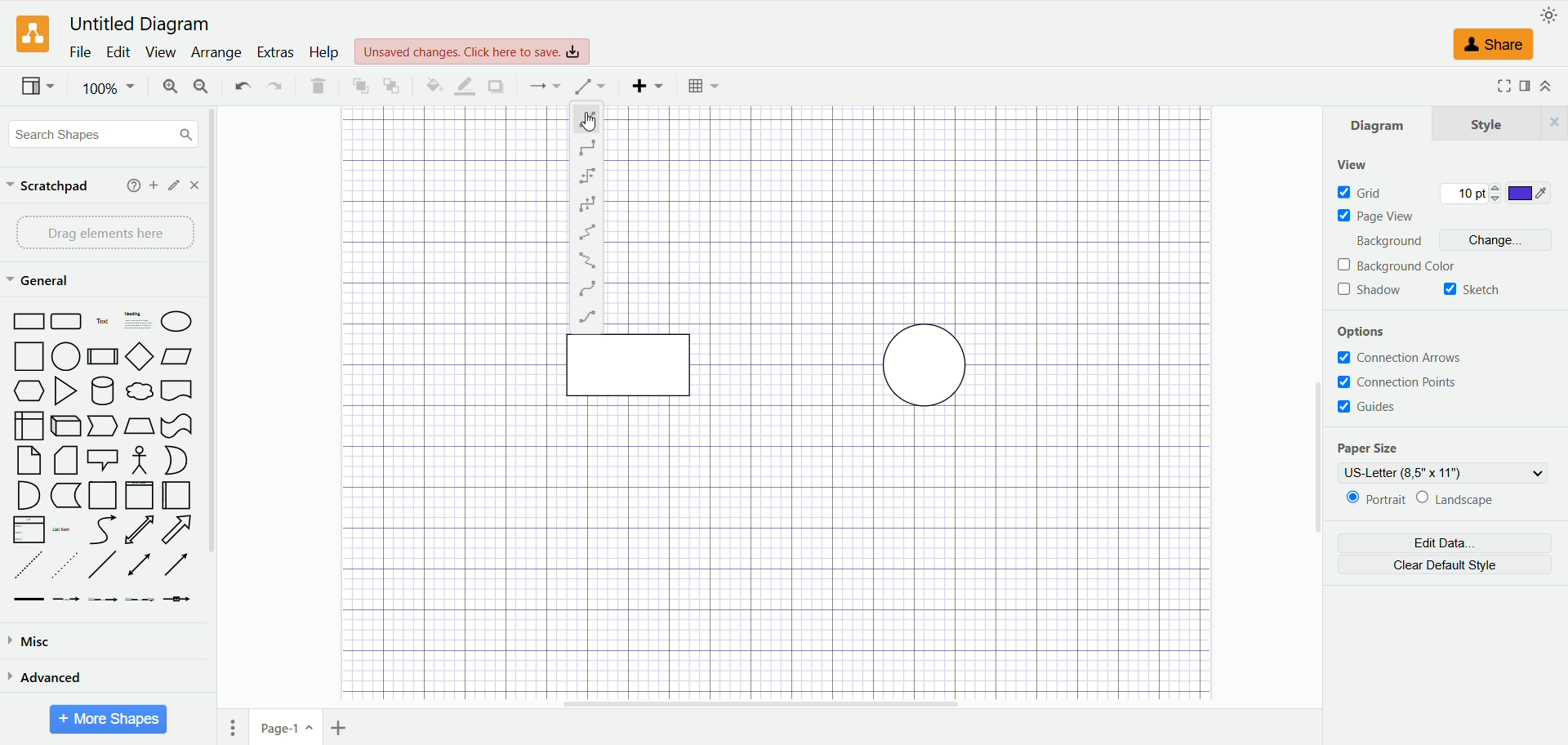  What do you see at coordinates (177, 426) in the screenshot?
I see `Irregular Flag` at bounding box center [177, 426].